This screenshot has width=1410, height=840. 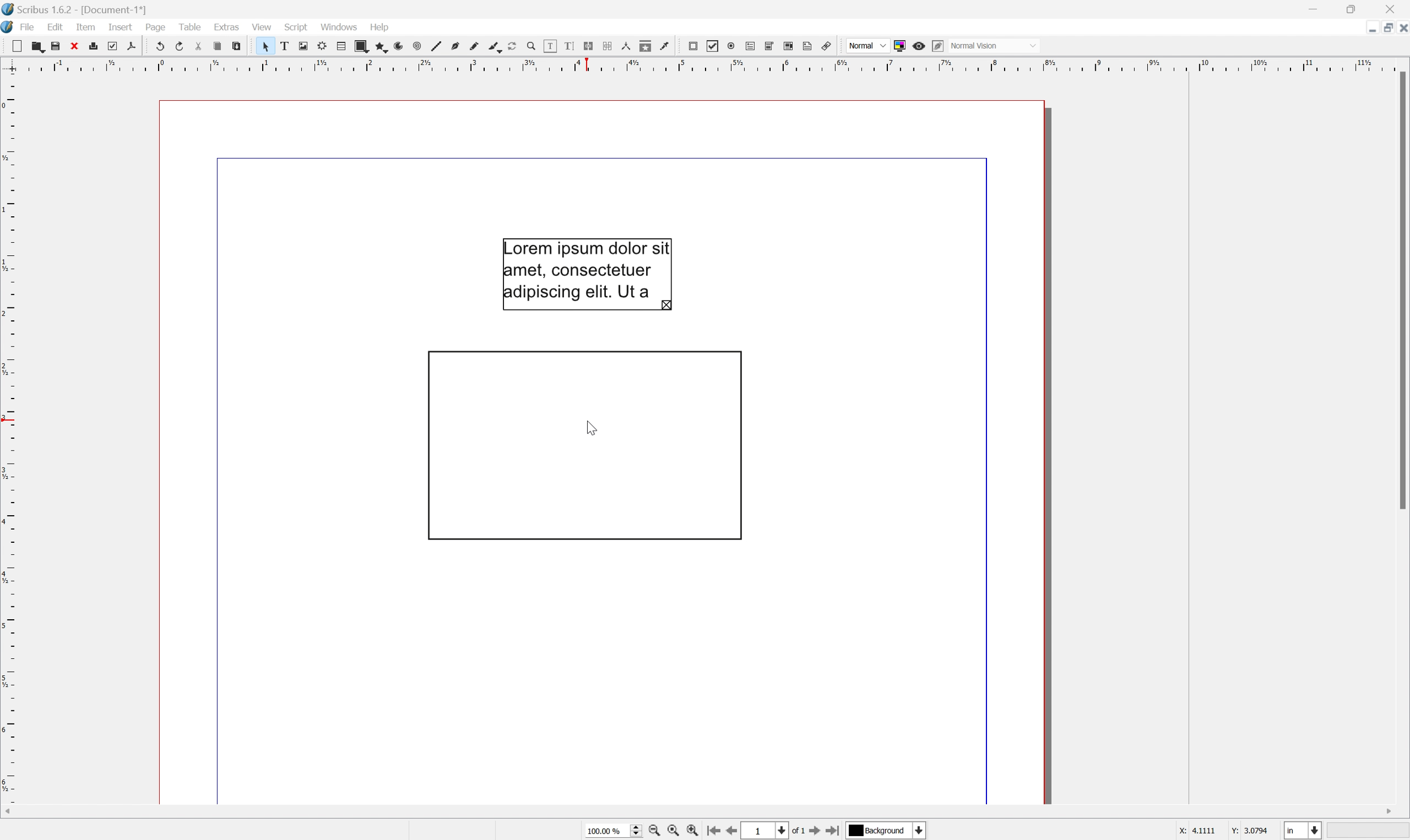 What do you see at coordinates (830, 47) in the screenshot?
I see `Link annotation` at bounding box center [830, 47].